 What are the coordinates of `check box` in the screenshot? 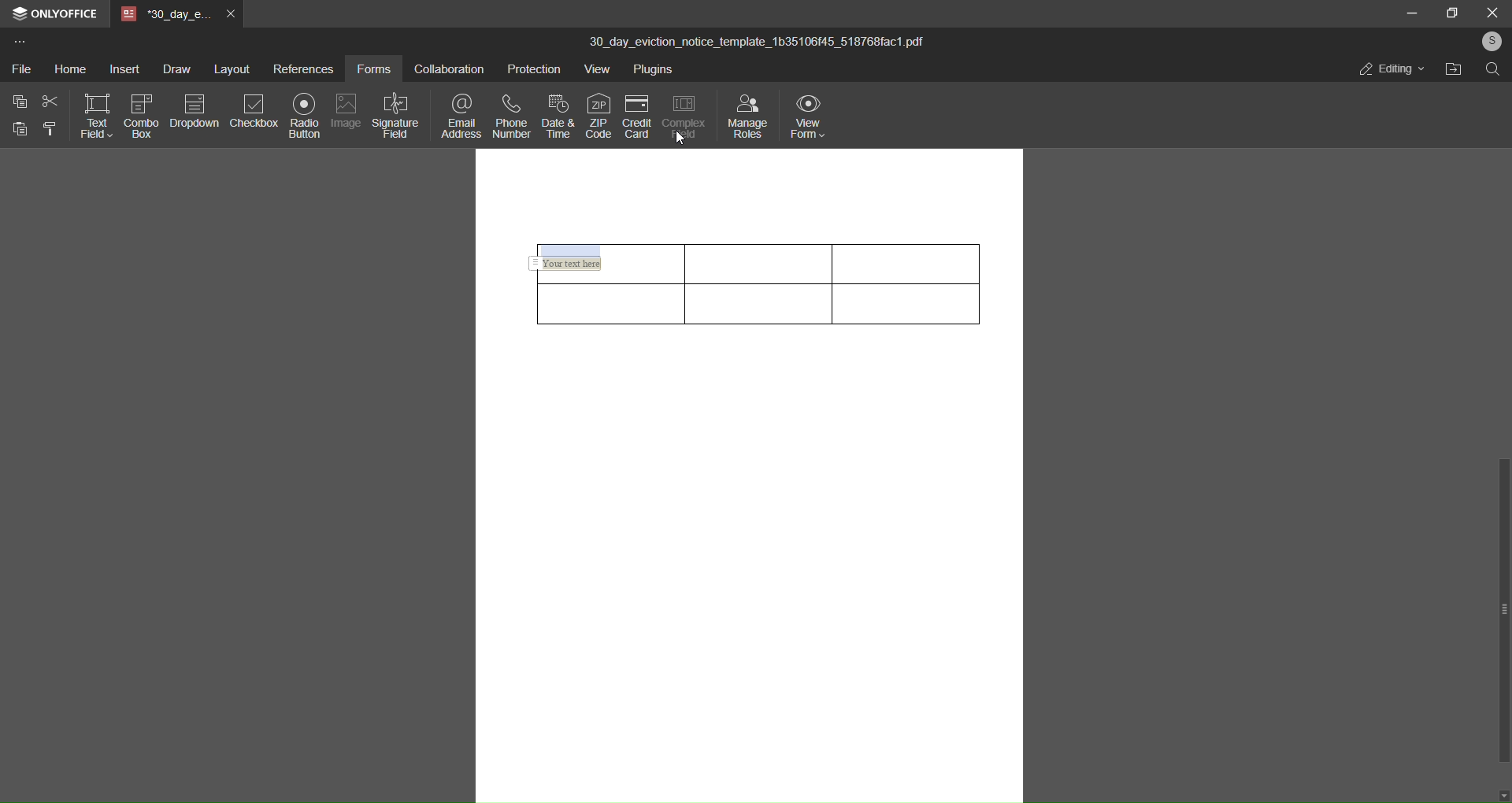 It's located at (255, 111).